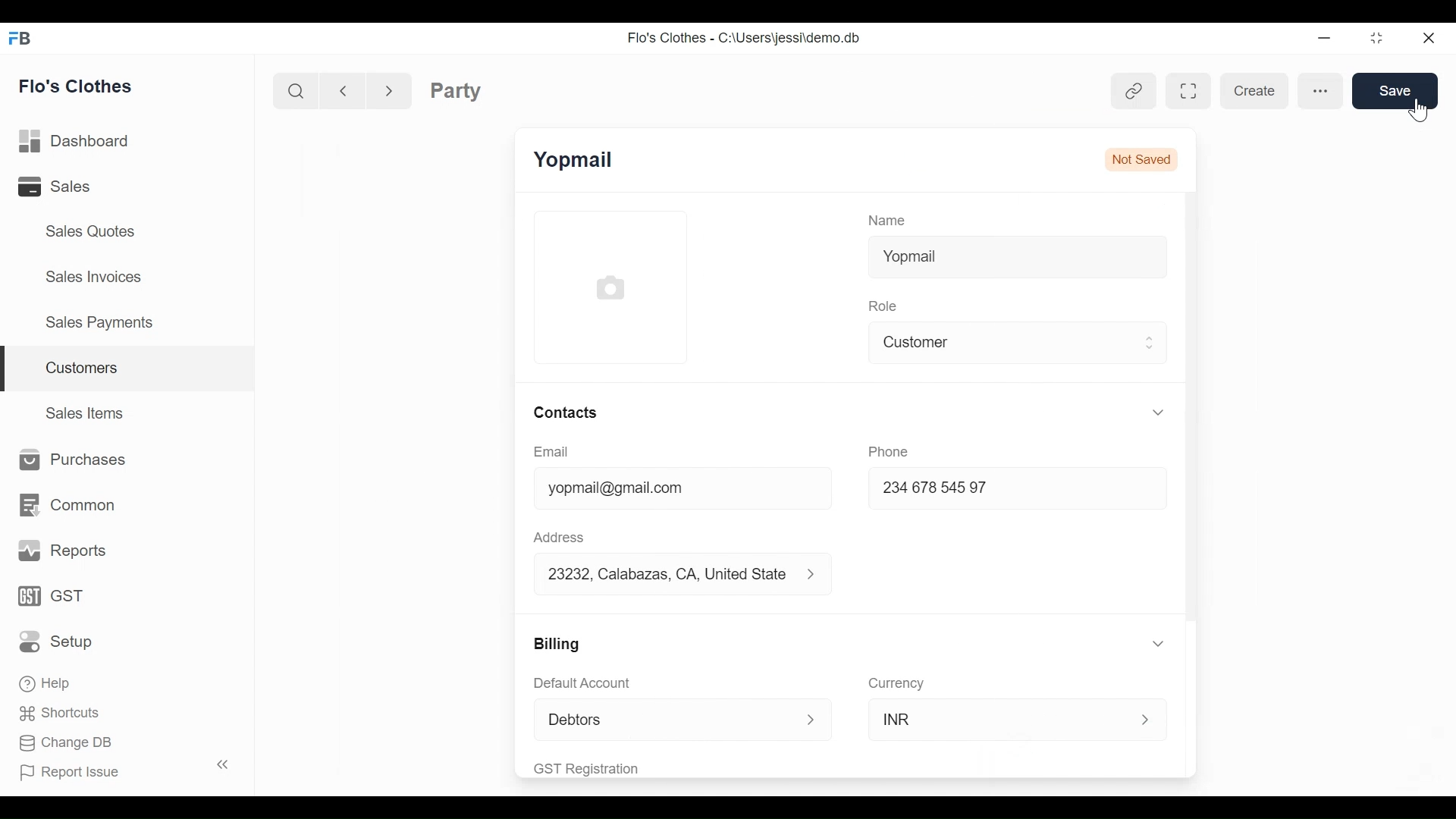  I want to click on Sales Items, so click(86, 411).